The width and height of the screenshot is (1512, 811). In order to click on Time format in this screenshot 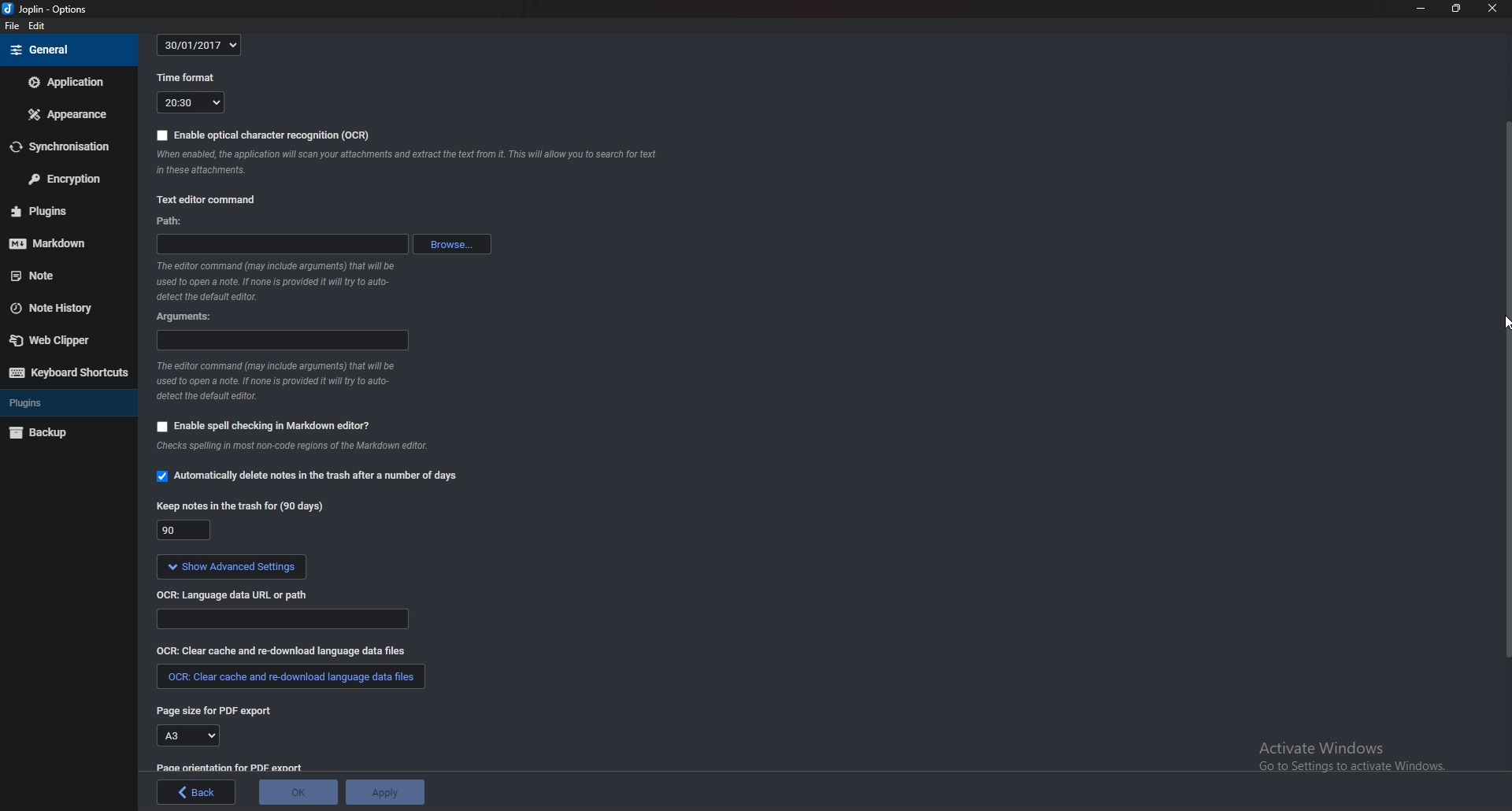, I will do `click(189, 78)`.